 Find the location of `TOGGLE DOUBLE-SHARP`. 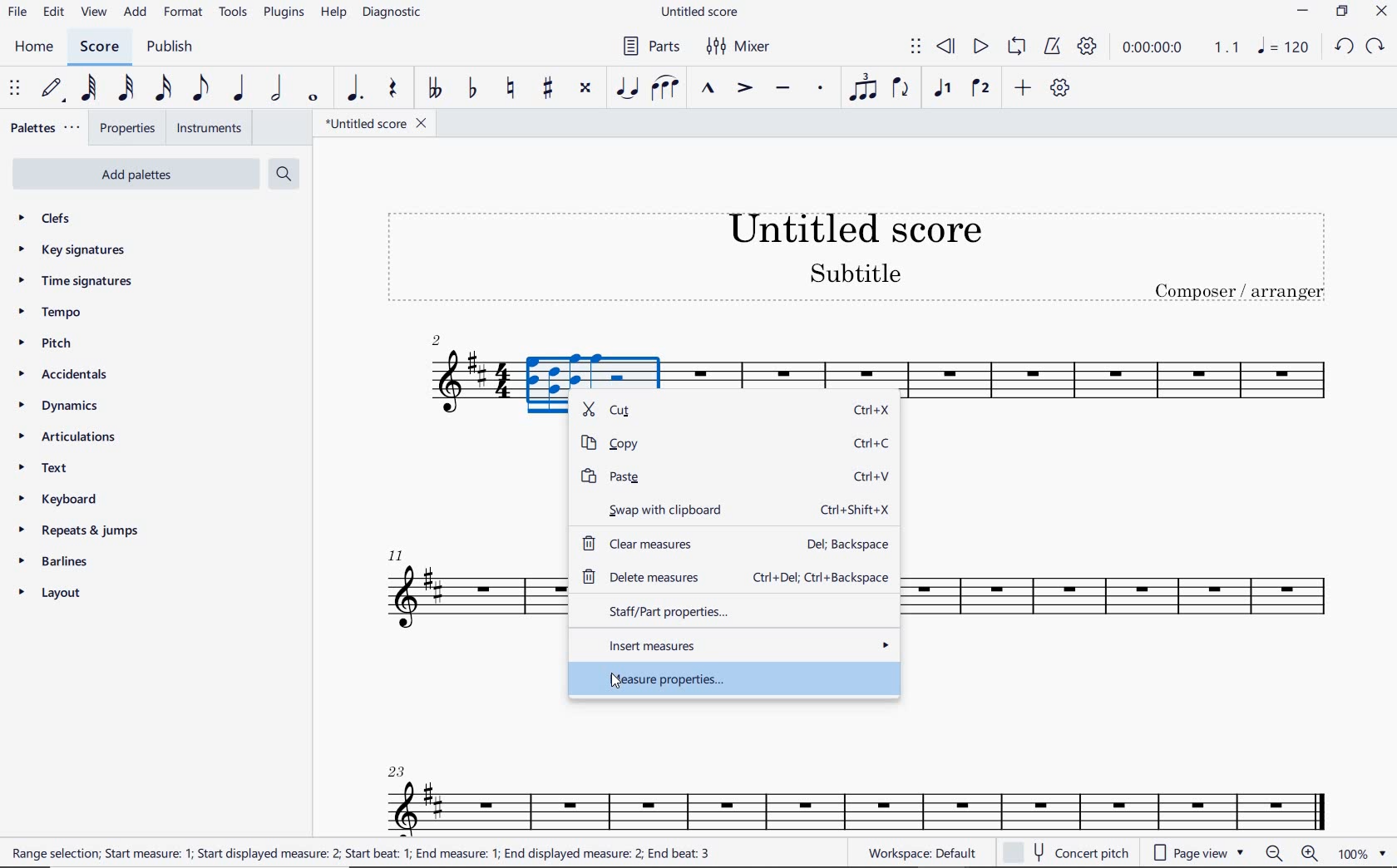

TOGGLE DOUBLE-SHARP is located at coordinates (585, 88).